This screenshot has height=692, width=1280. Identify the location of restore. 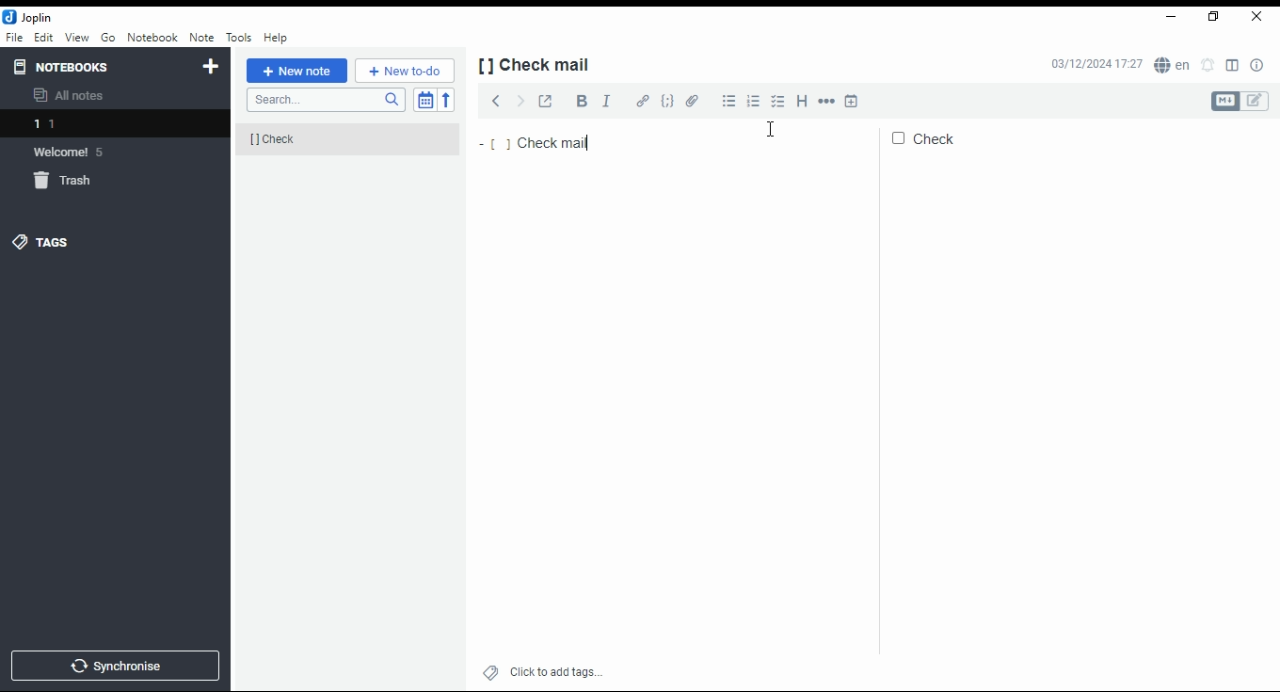
(1216, 17).